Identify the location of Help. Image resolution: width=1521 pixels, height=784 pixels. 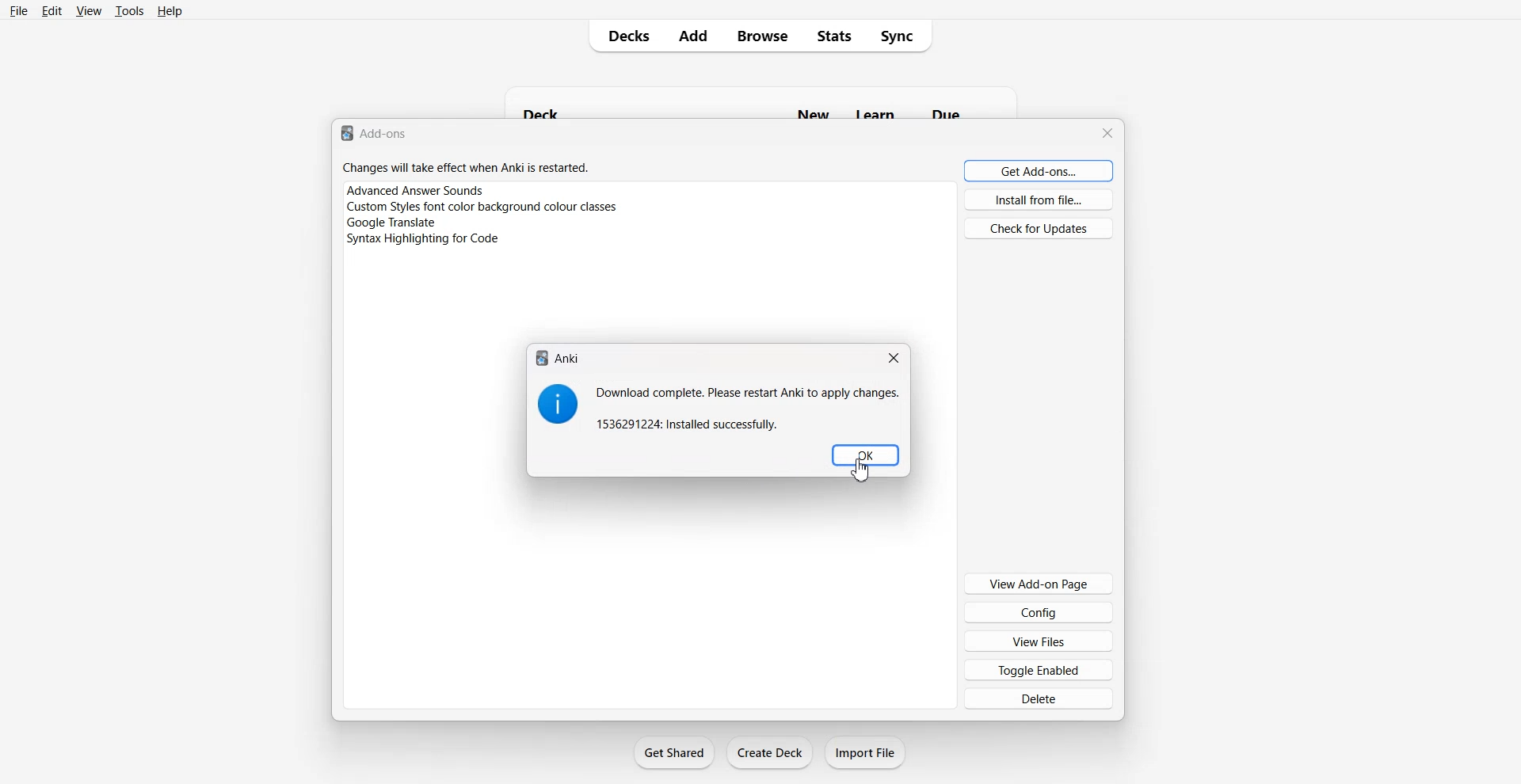
(170, 10).